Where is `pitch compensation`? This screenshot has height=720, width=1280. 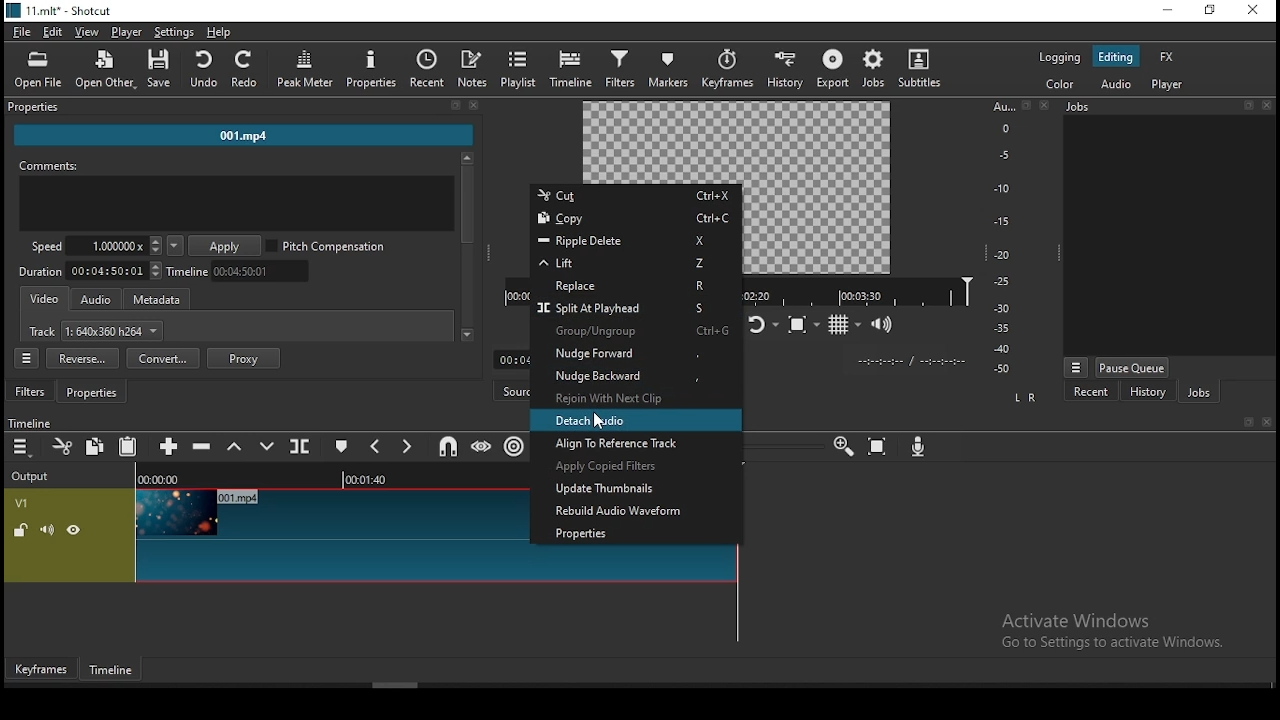
pitch compensation is located at coordinates (326, 244).